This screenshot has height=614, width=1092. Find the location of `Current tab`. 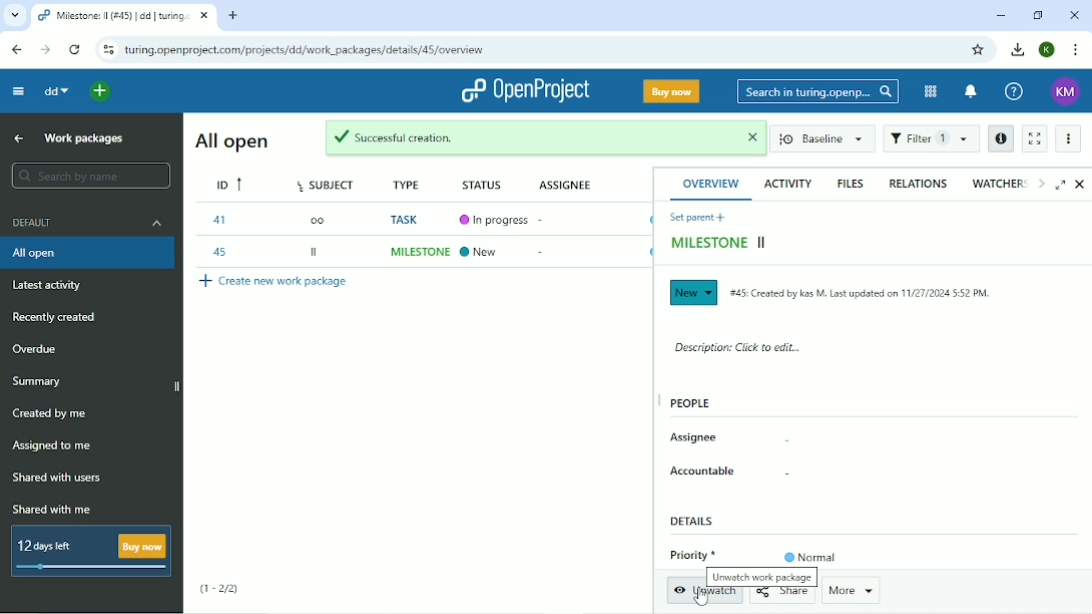

Current tab is located at coordinates (123, 15).